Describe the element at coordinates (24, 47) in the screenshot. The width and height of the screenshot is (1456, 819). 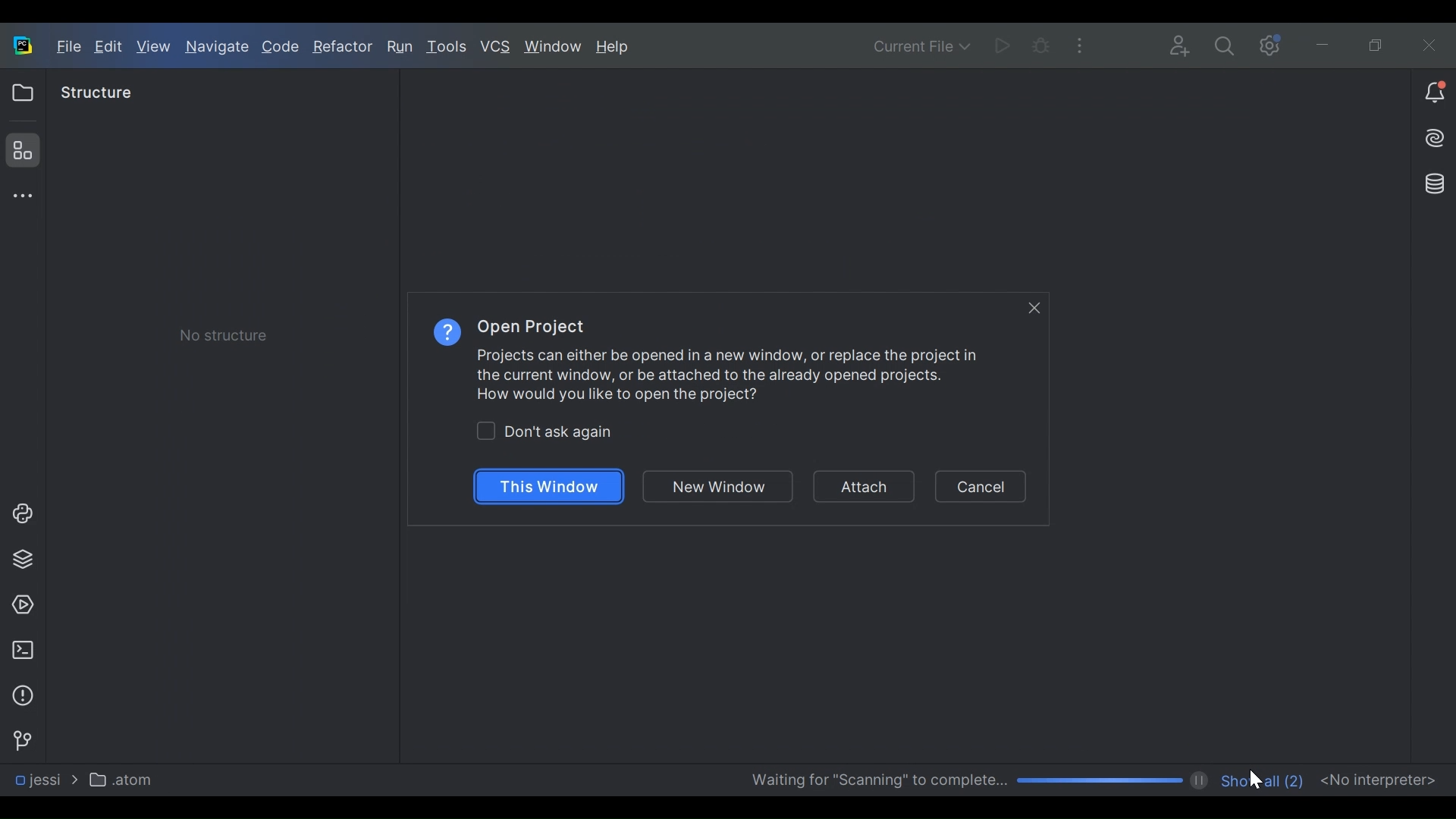
I see `PyCharm Desktop Icon` at that location.